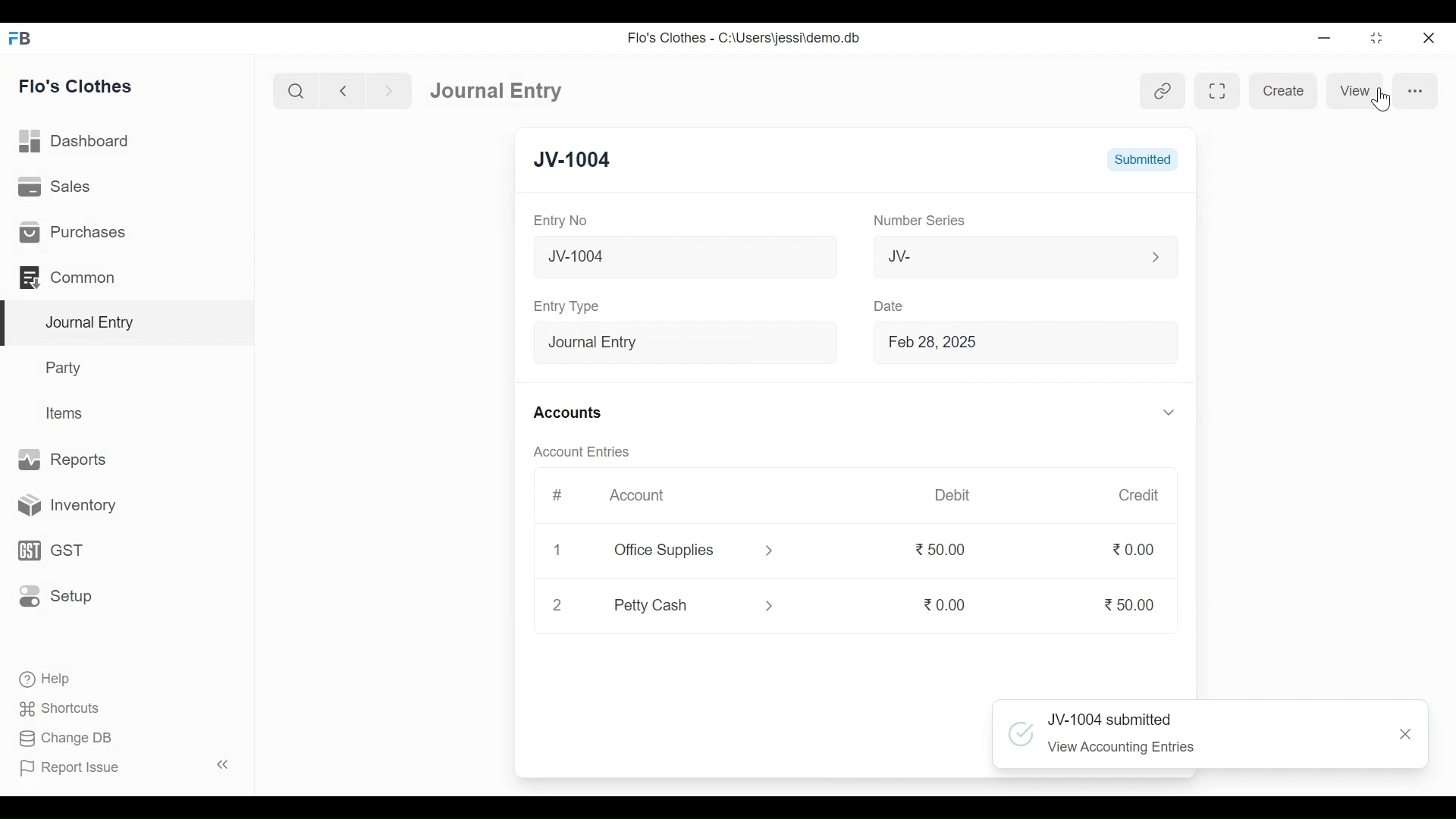 Image resolution: width=1456 pixels, height=819 pixels. What do you see at coordinates (1142, 158) in the screenshot?
I see `Submitted` at bounding box center [1142, 158].